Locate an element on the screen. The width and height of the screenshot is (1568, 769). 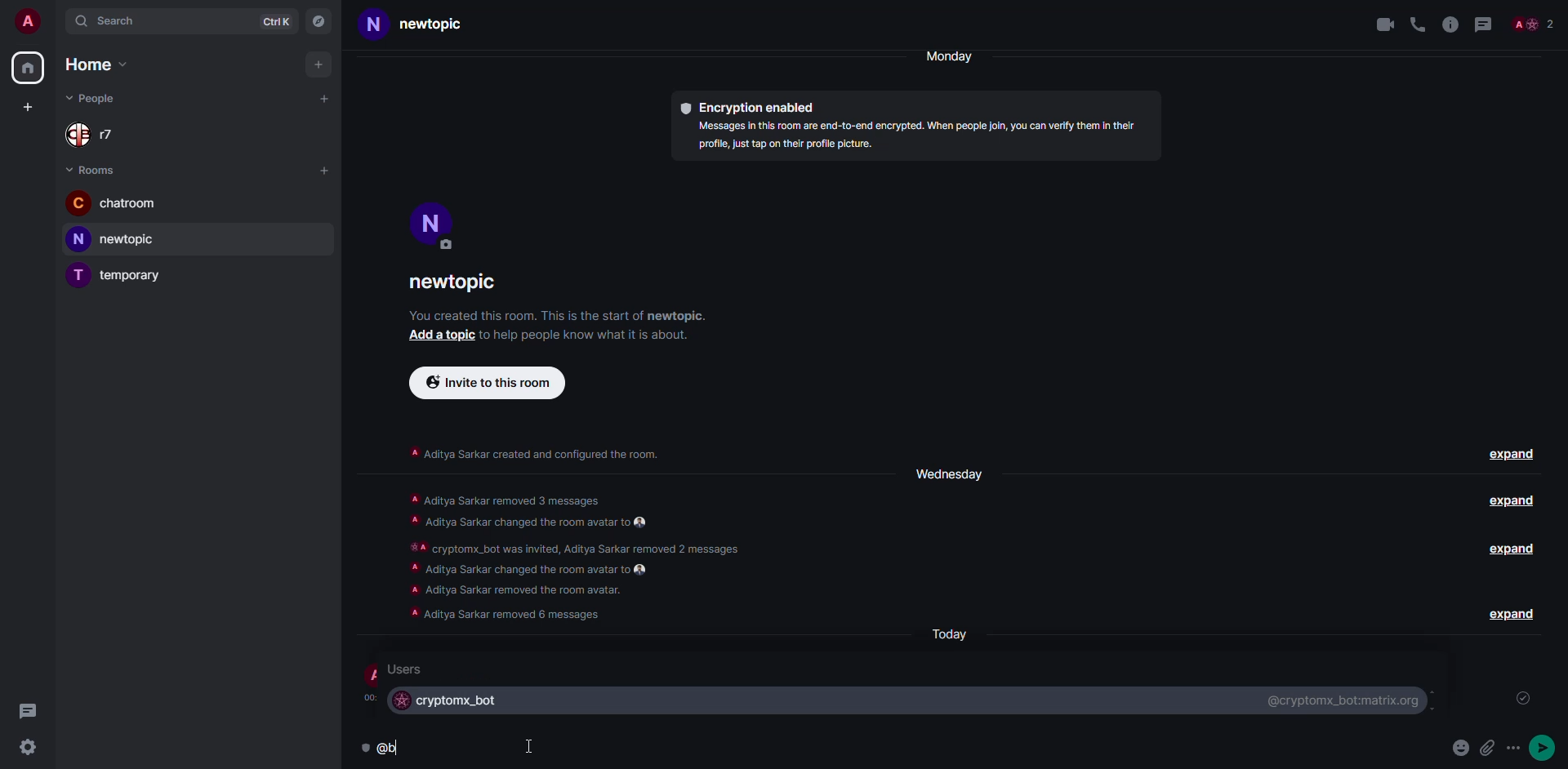
info is located at coordinates (534, 451).